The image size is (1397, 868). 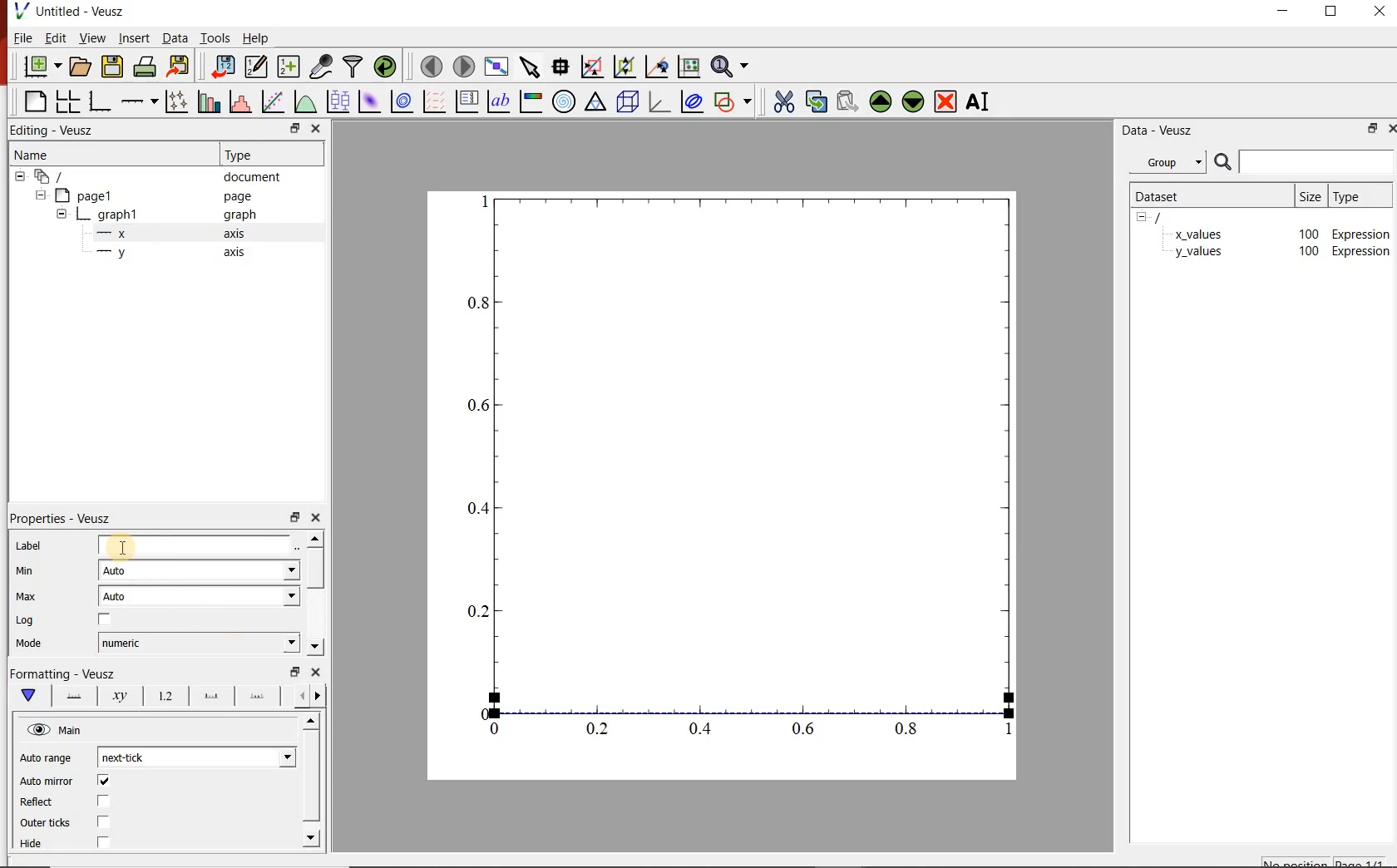 I want to click on previous options, so click(x=321, y=697).